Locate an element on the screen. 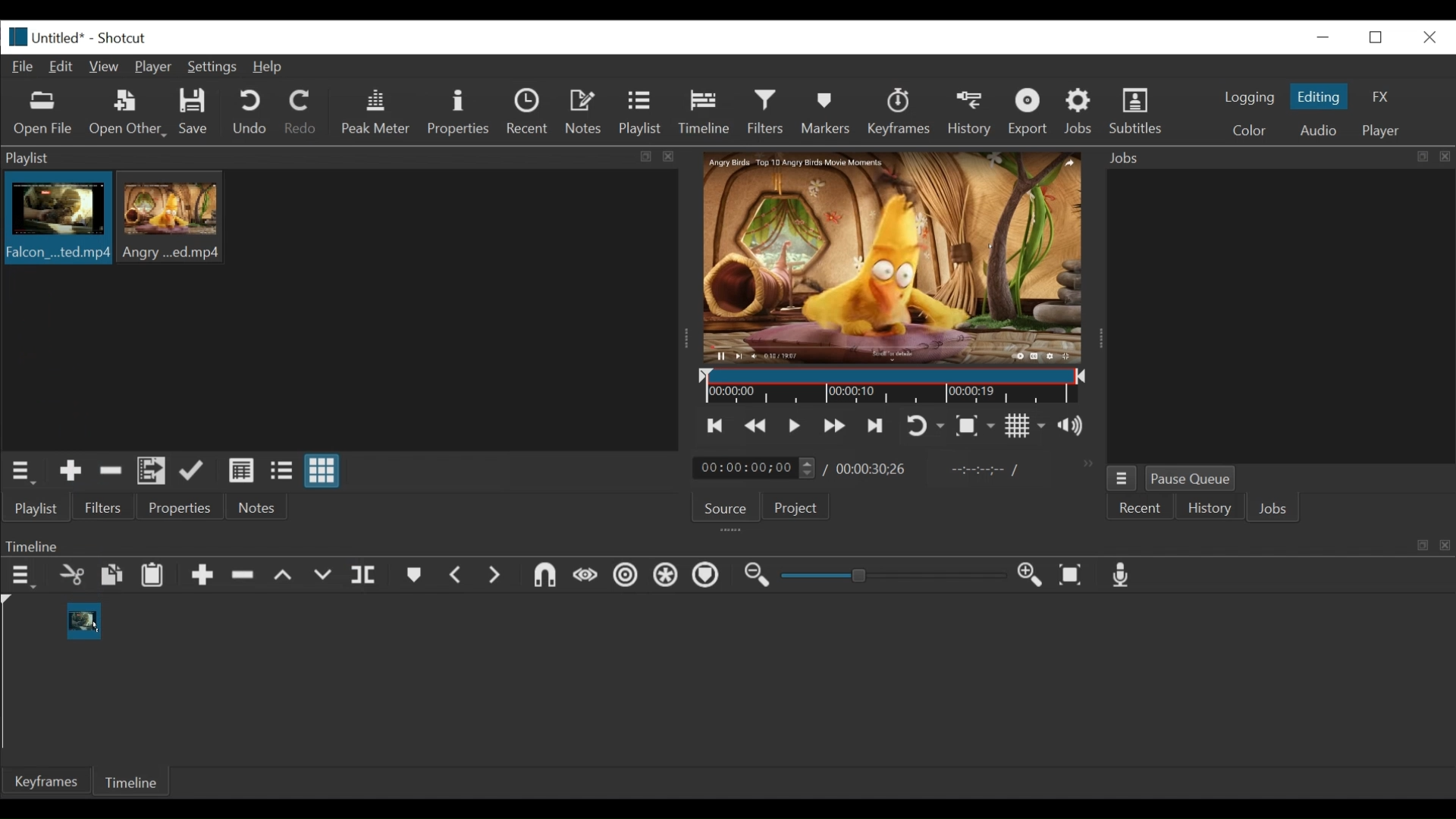 This screenshot has height=819, width=1456. Open Other is located at coordinates (129, 114).